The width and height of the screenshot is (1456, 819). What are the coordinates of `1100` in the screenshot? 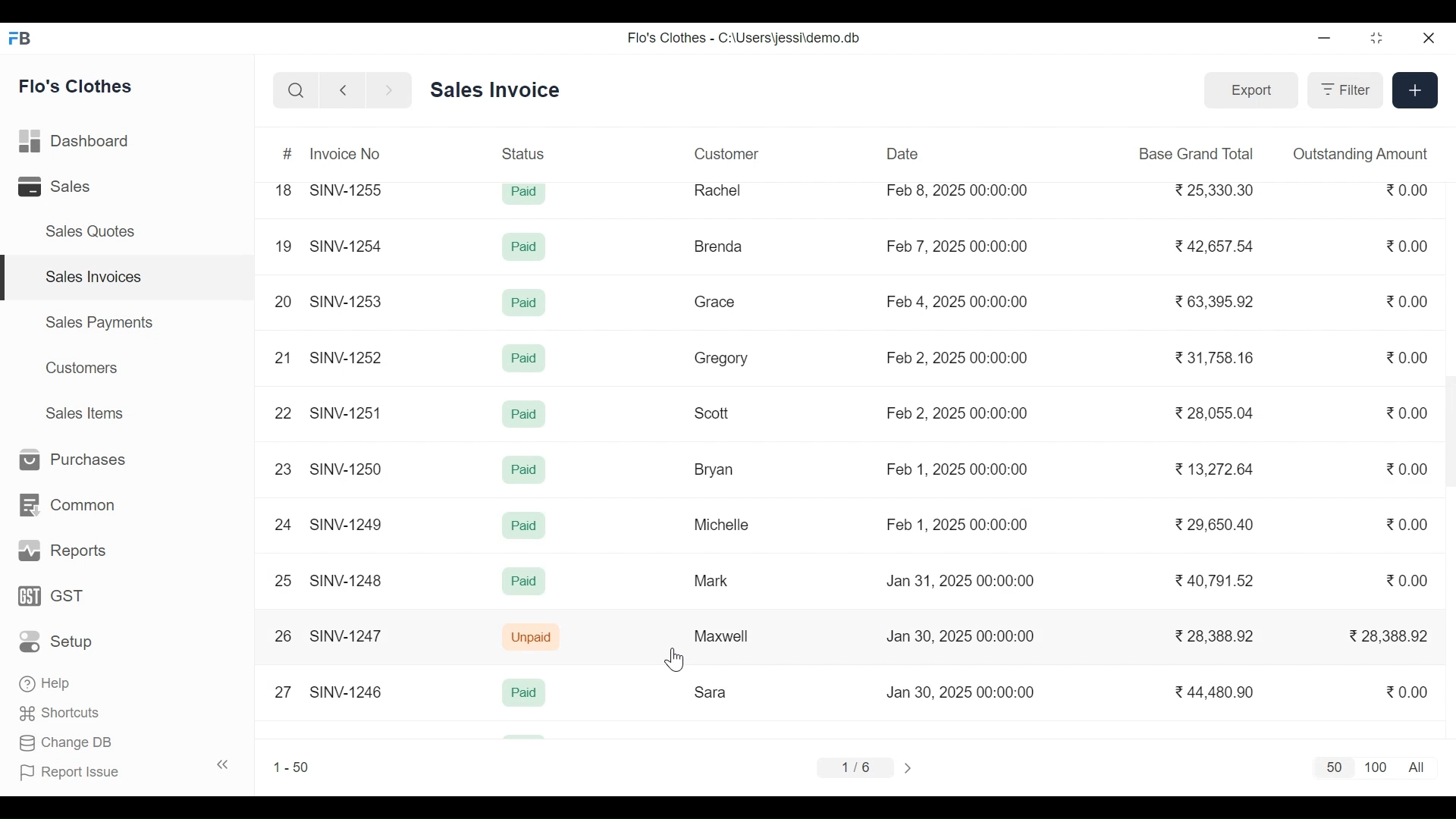 It's located at (1376, 768).